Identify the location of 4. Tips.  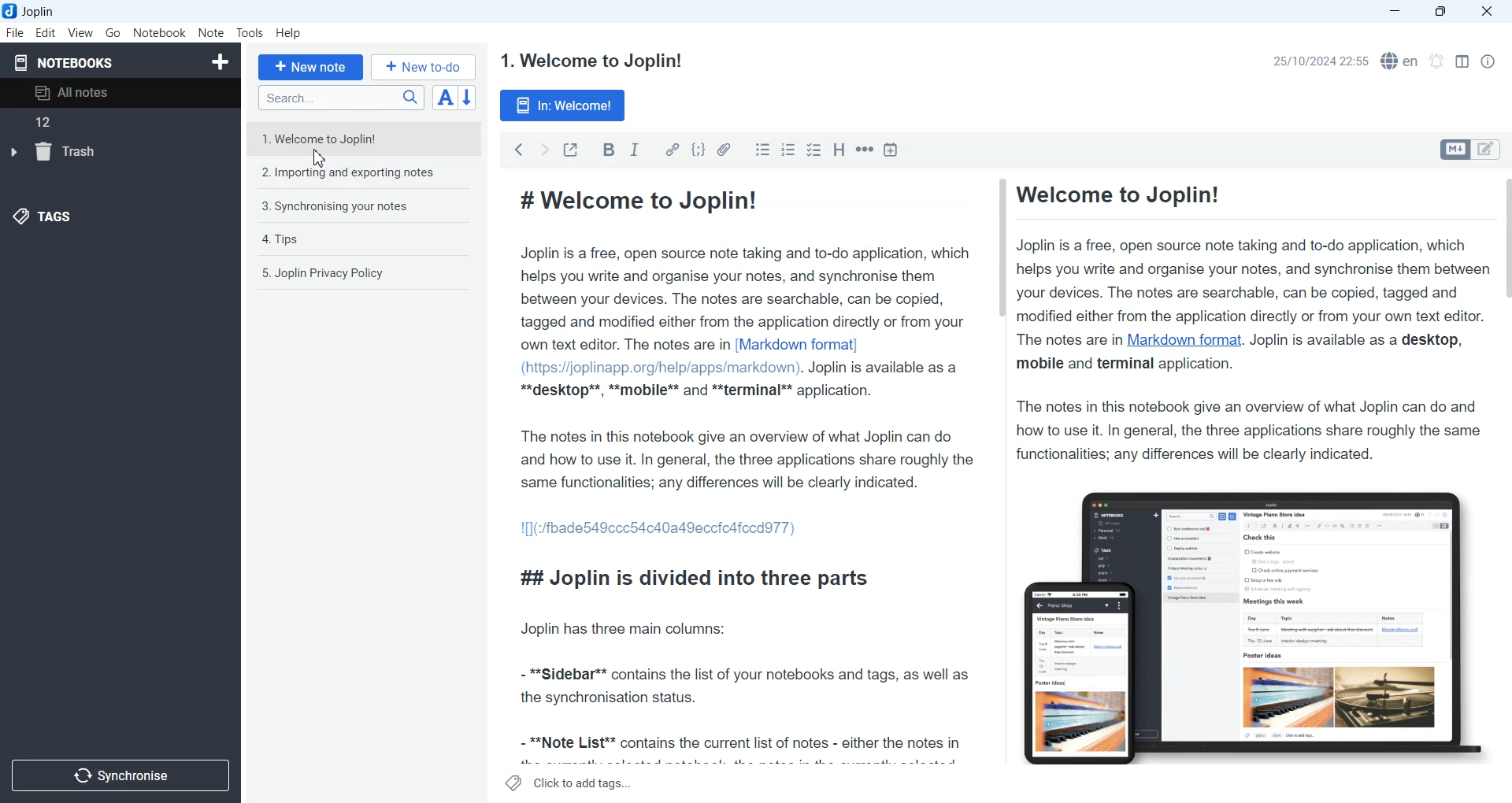
(282, 239).